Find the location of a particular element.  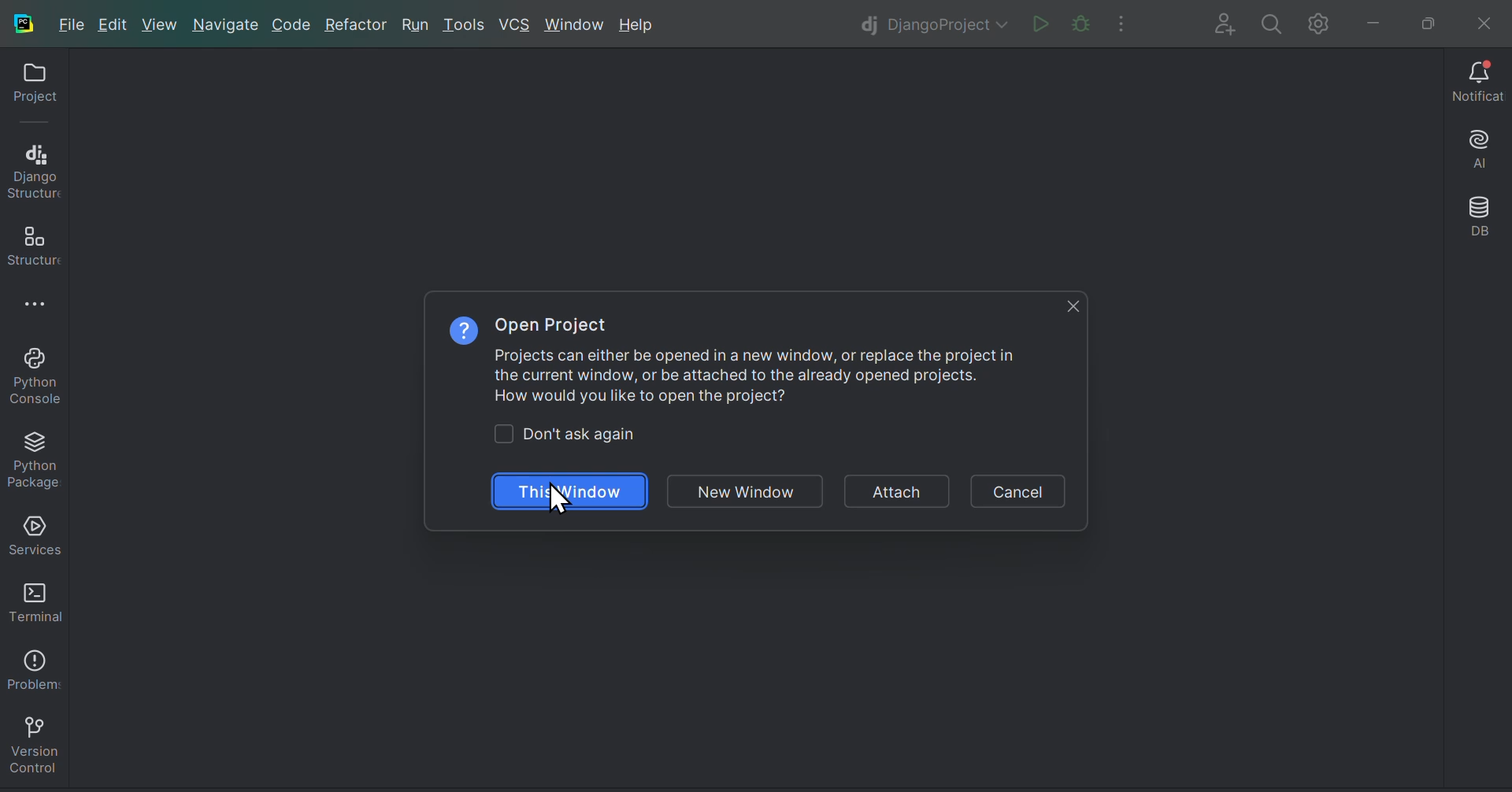

check box is located at coordinates (504, 435).